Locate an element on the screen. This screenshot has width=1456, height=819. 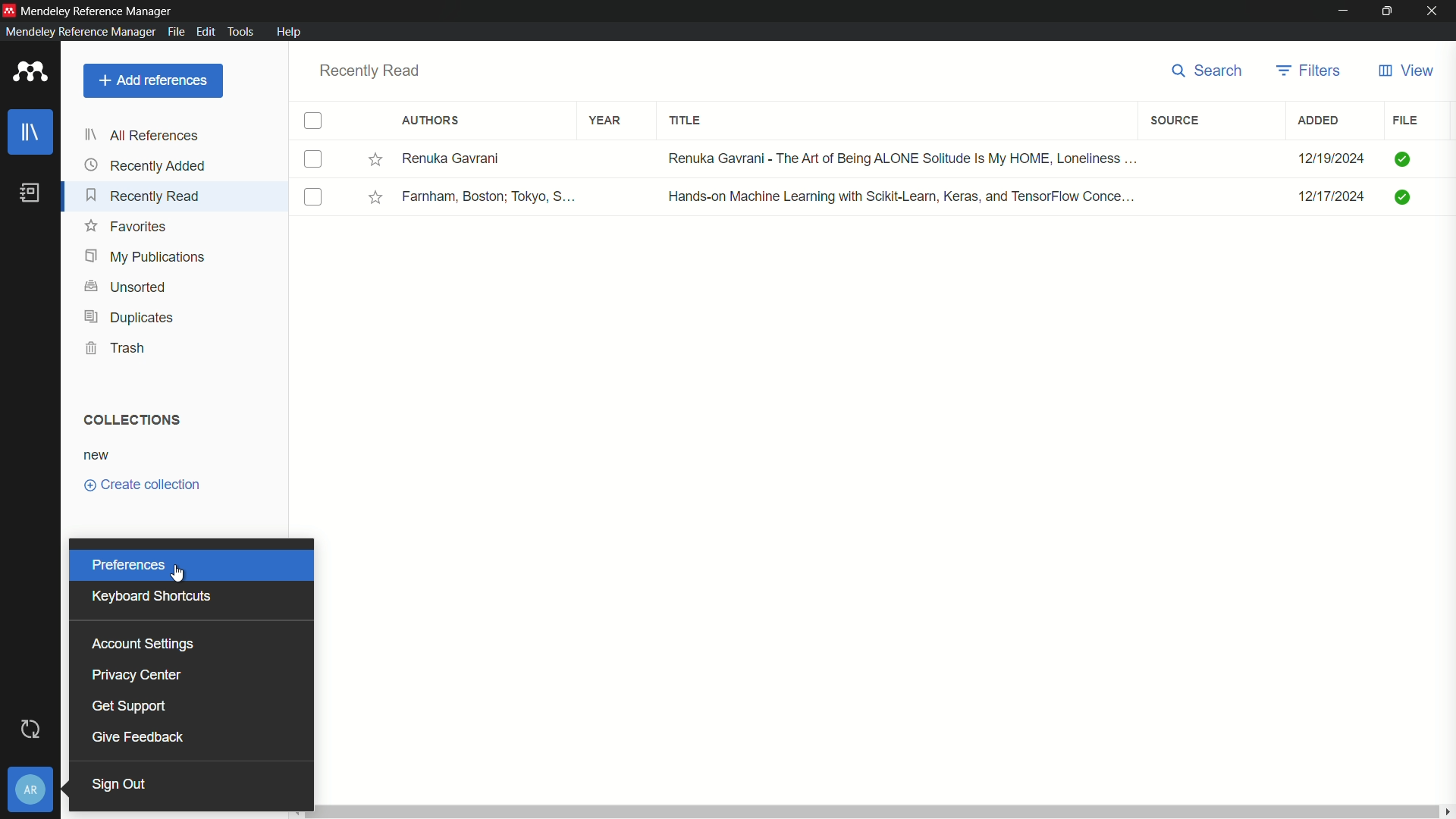
12/17/2024 is located at coordinates (1332, 196).